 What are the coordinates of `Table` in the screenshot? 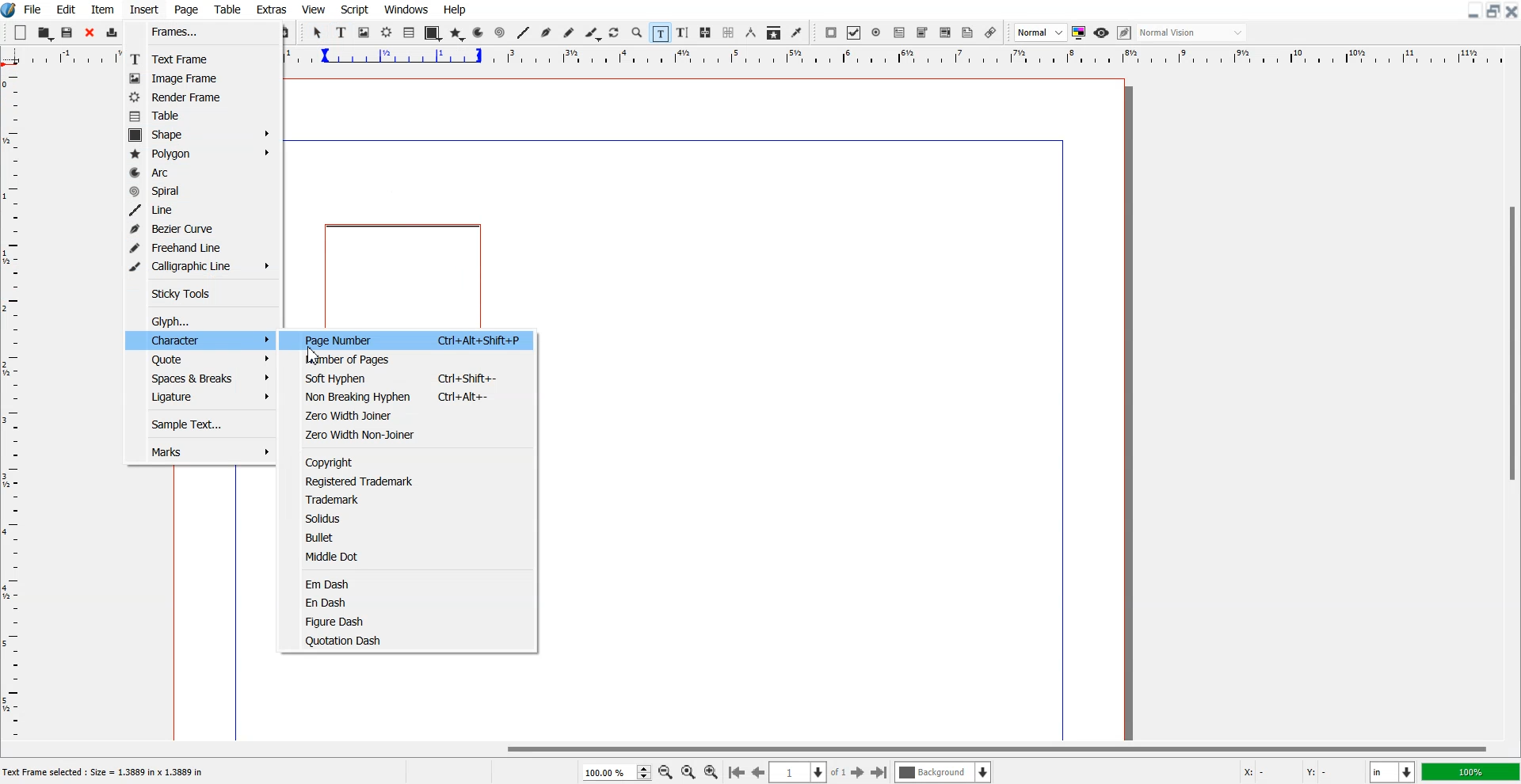 It's located at (228, 9).